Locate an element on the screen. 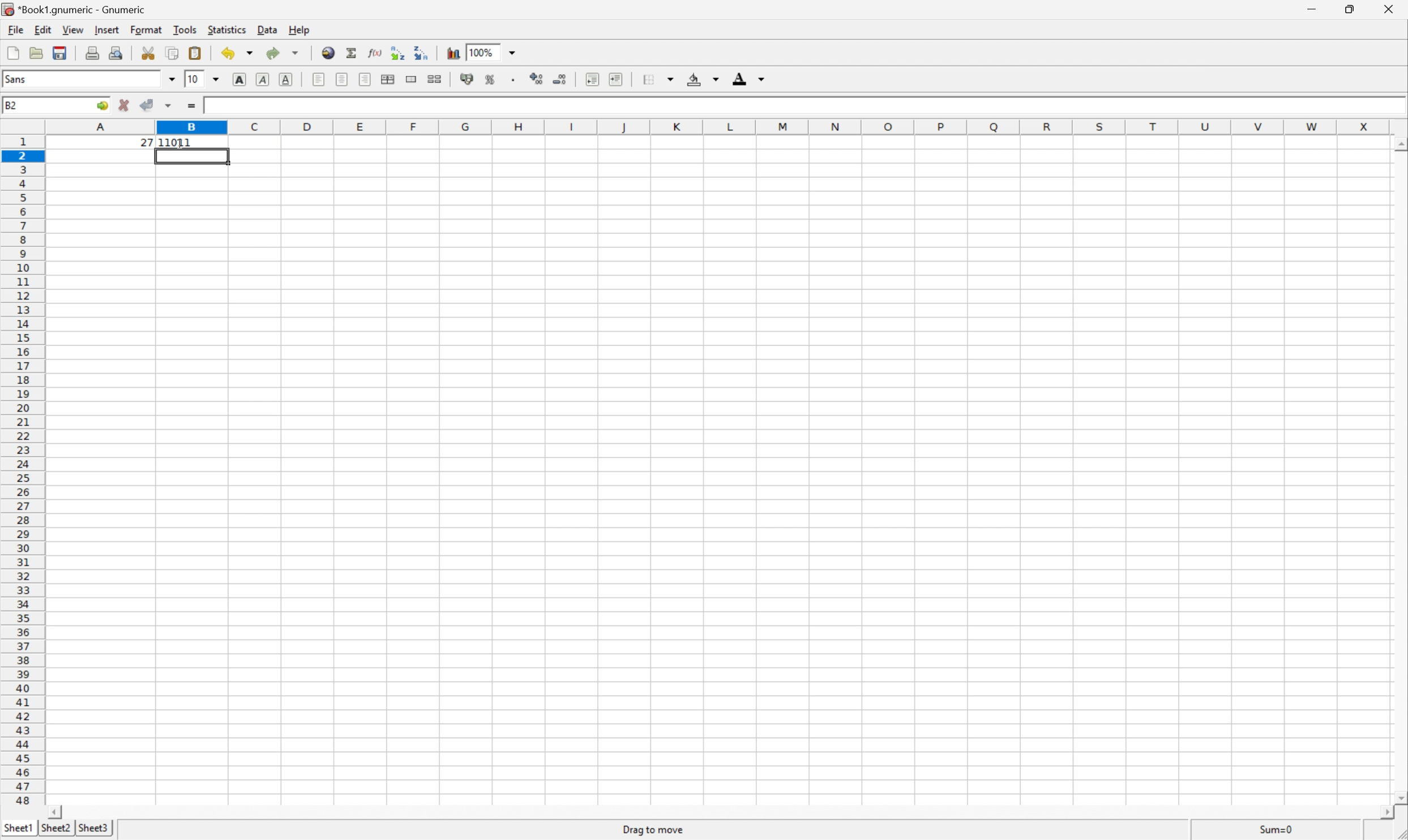 This screenshot has width=1408, height=840. Scroll Up is located at coordinates (1399, 147).